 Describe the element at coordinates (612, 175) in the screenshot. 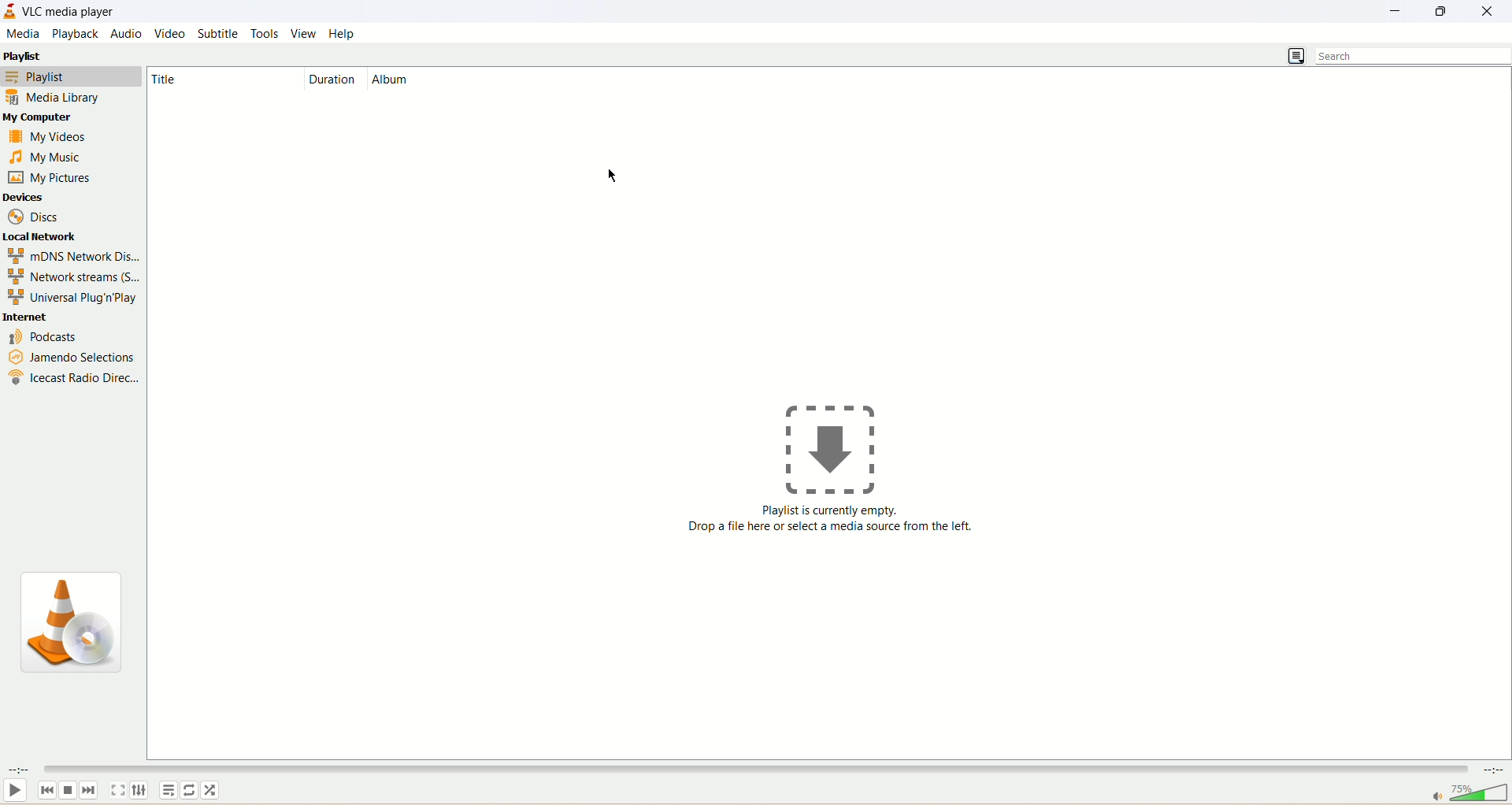

I see `cursor` at that location.